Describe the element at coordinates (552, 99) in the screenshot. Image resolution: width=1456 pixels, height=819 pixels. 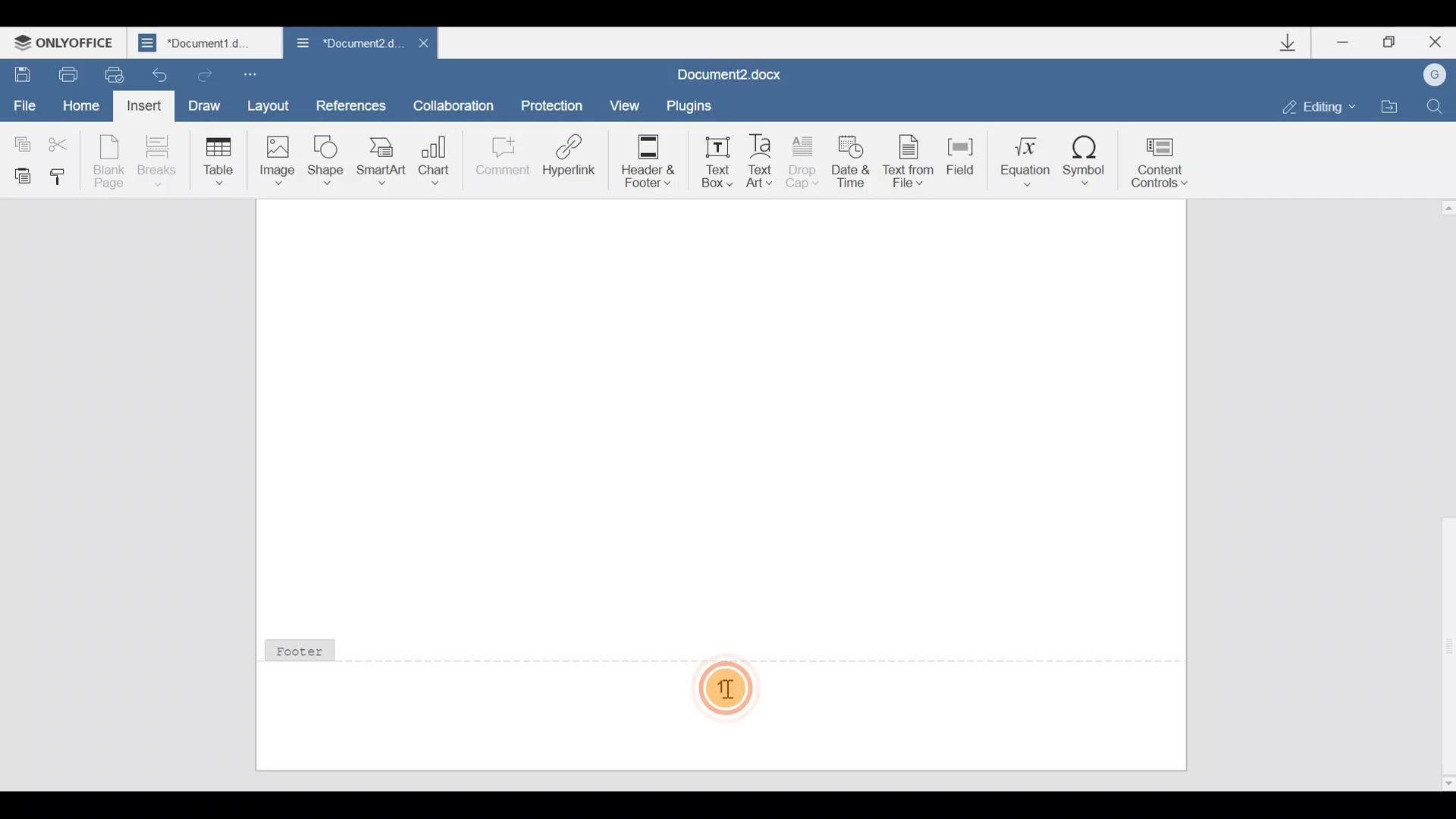
I see `Protection` at that location.